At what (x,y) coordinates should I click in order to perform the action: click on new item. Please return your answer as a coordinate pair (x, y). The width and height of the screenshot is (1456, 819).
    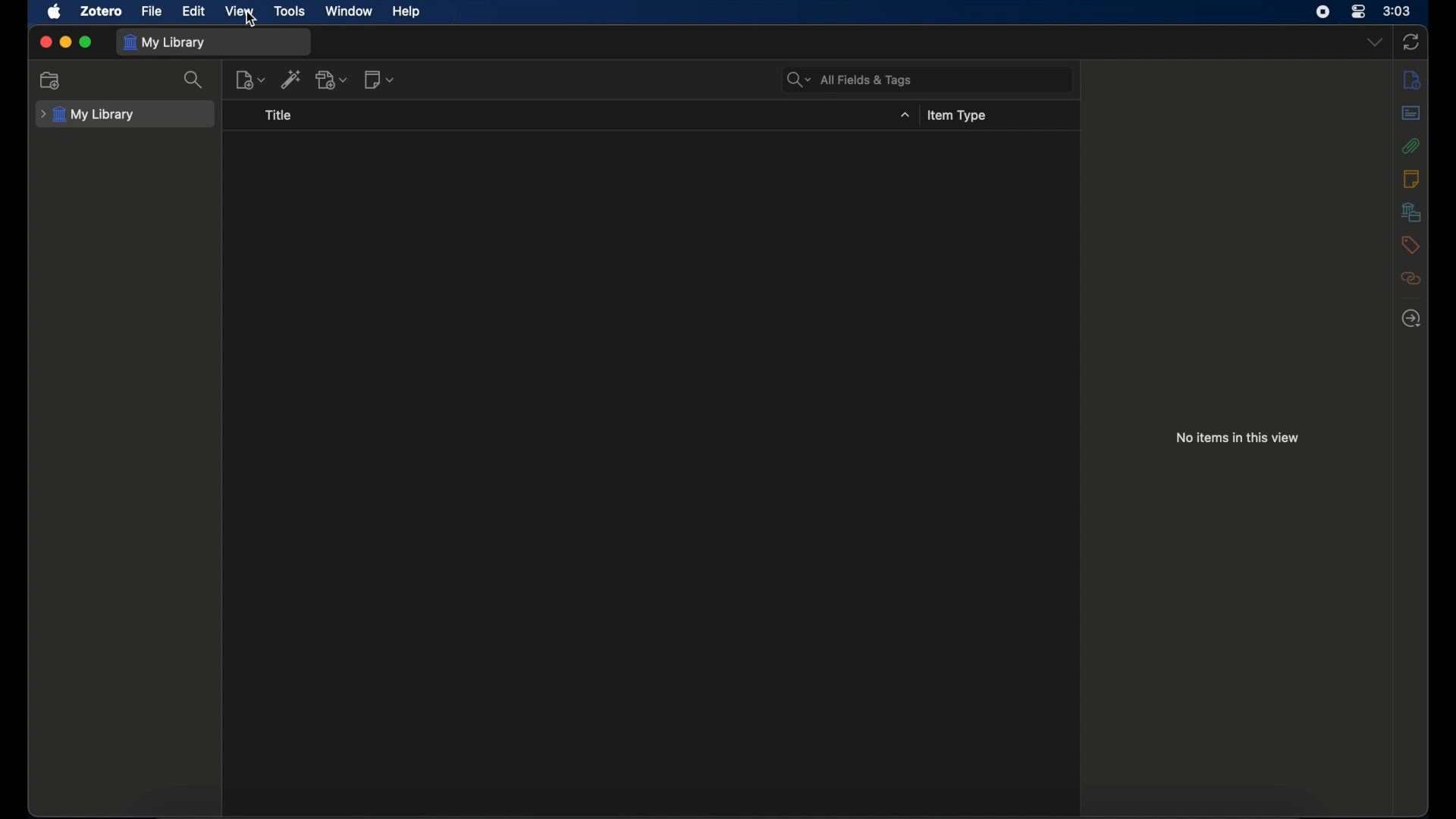
    Looking at the image, I should click on (249, 79).